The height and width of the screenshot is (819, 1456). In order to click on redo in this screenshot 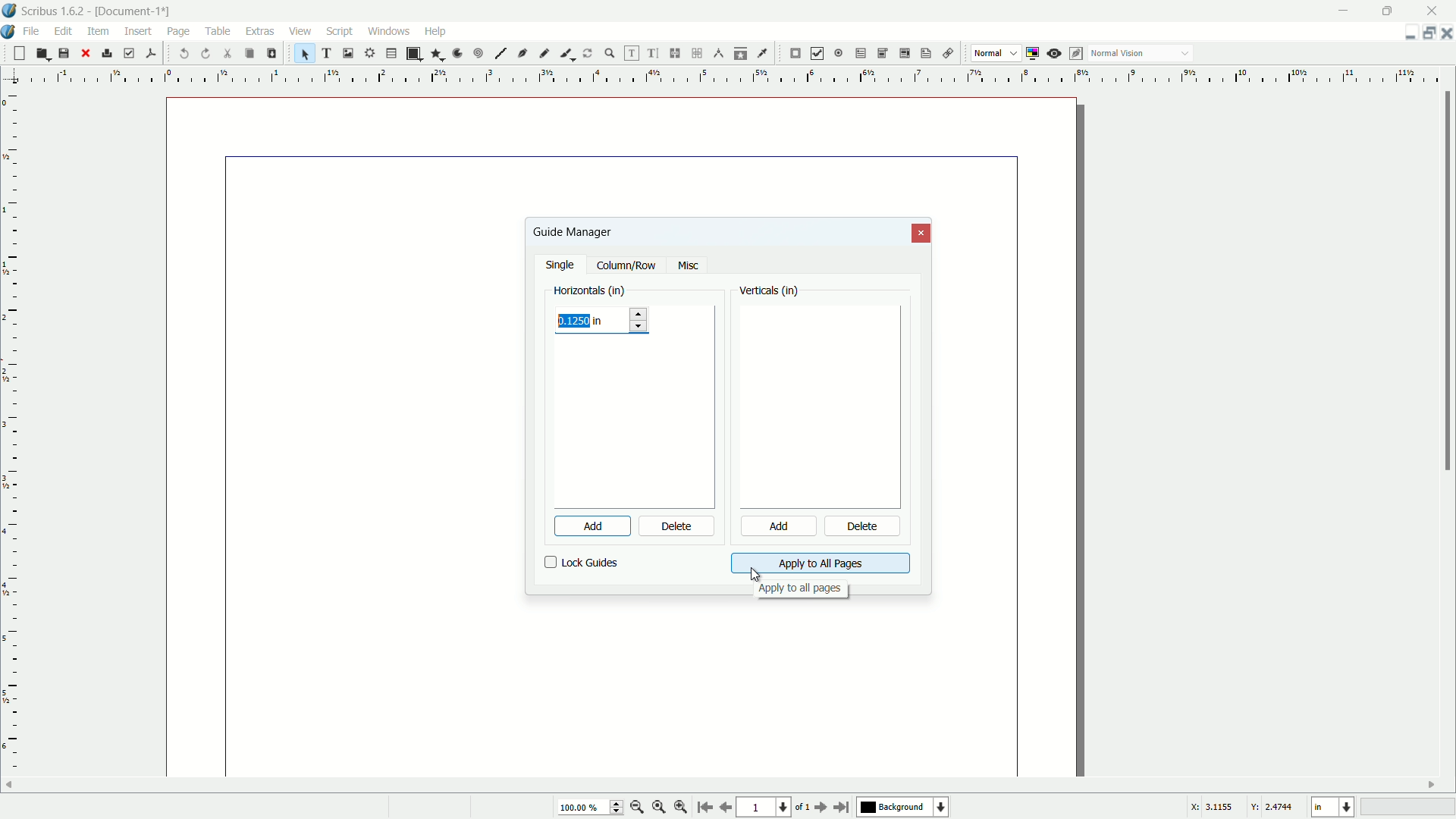, I will do `click(207, 53)`.